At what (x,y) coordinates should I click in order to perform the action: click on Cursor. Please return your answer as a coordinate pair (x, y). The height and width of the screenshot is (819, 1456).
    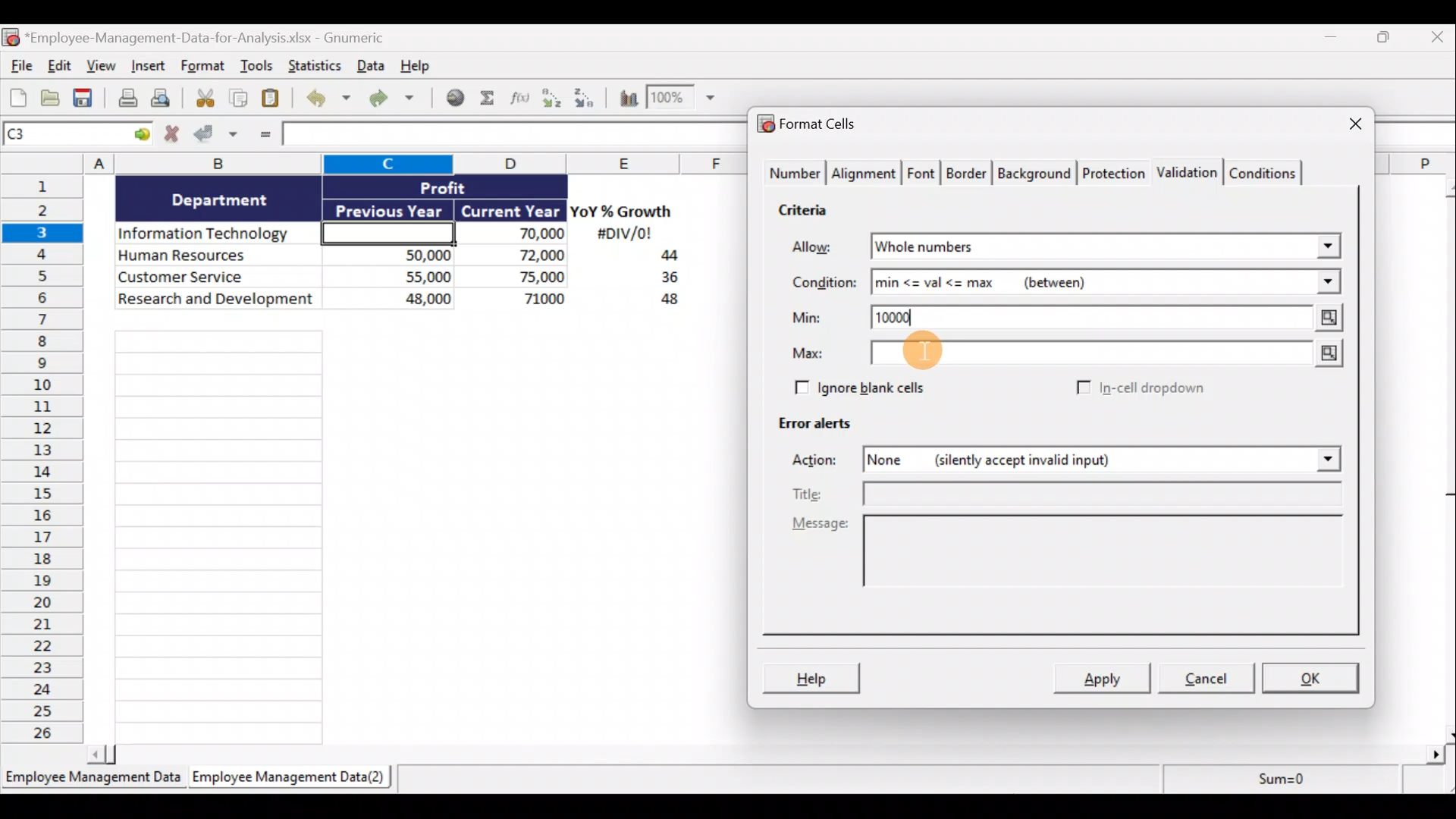
    Looking at the image, I should click on (921, 348).